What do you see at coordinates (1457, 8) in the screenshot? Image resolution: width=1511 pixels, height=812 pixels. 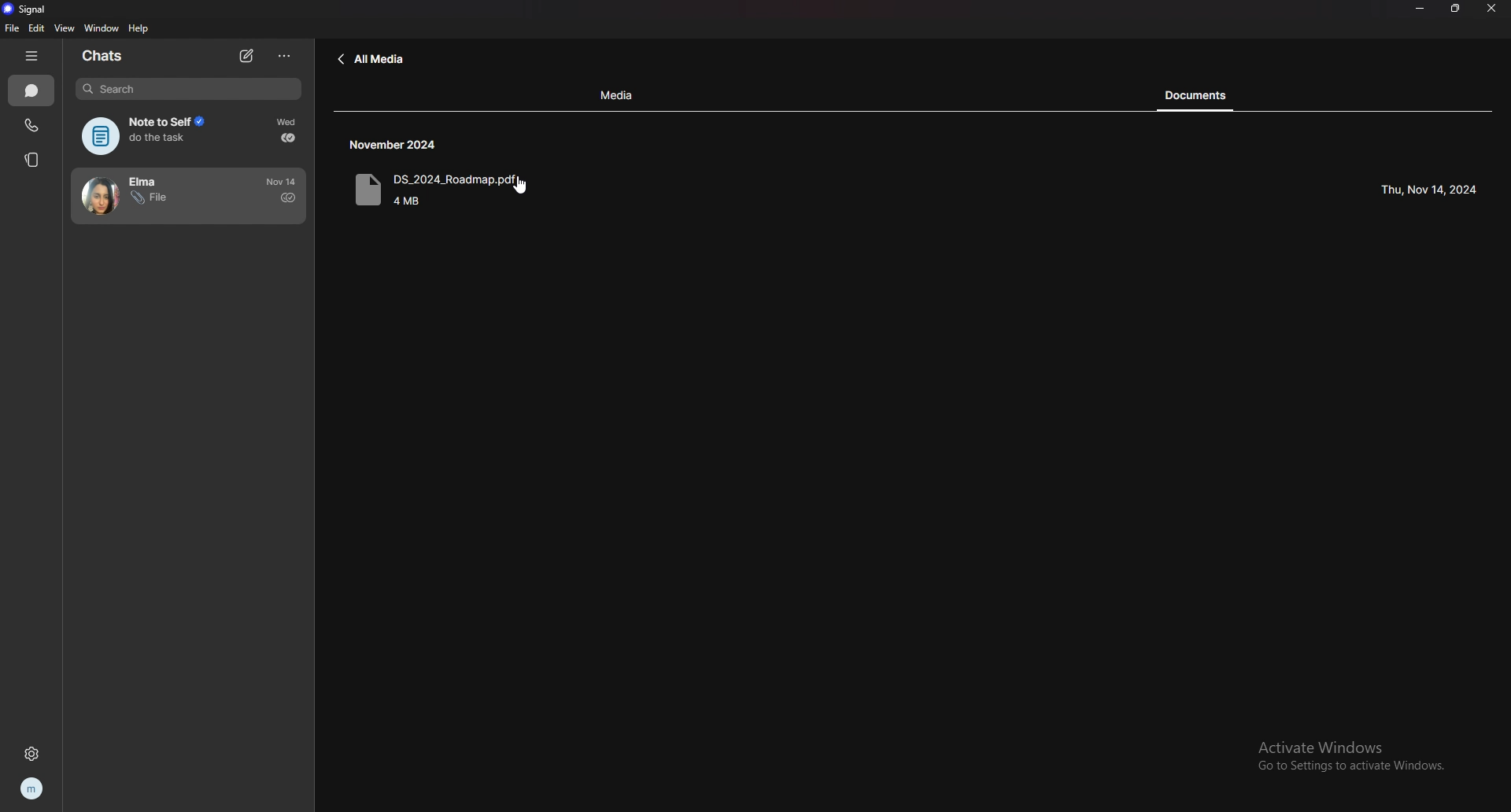 I see `resize` at bounding box center [1457, 8].